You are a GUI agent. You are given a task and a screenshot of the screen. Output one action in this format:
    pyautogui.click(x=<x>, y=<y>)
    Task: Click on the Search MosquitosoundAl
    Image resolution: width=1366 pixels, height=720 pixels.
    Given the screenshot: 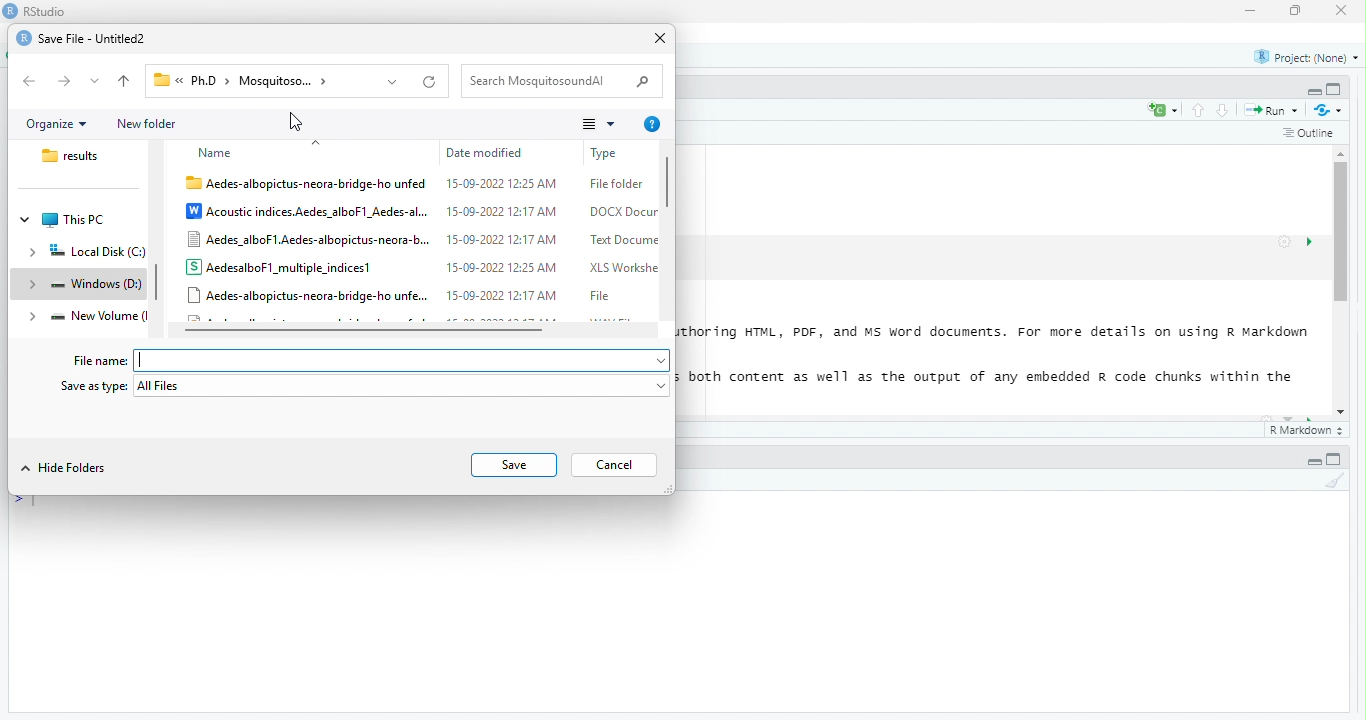 What is the action you would take?
    pyautogui.click(x=543, y=81)
    